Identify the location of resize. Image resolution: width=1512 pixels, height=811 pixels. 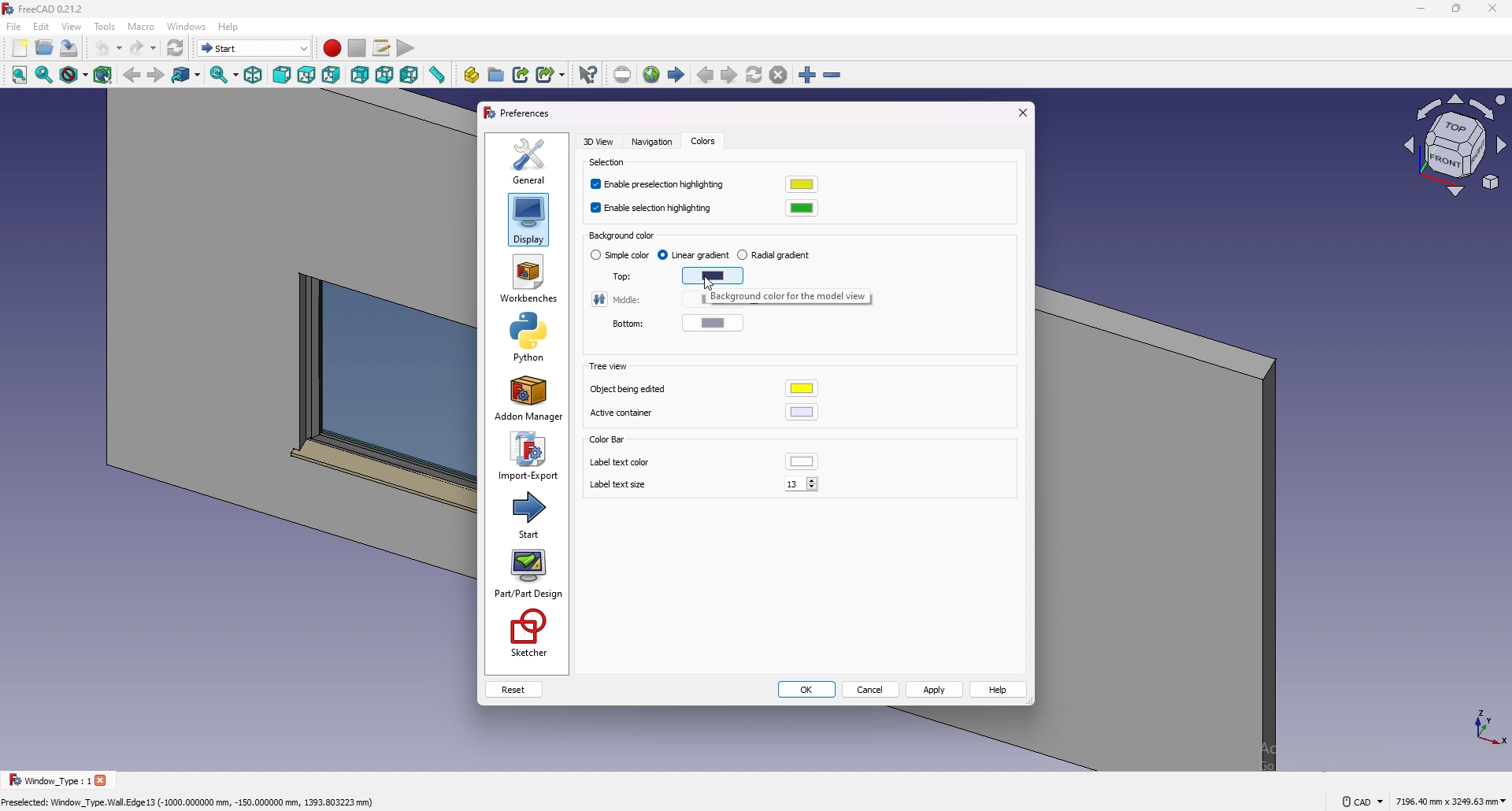
(1457, 9).